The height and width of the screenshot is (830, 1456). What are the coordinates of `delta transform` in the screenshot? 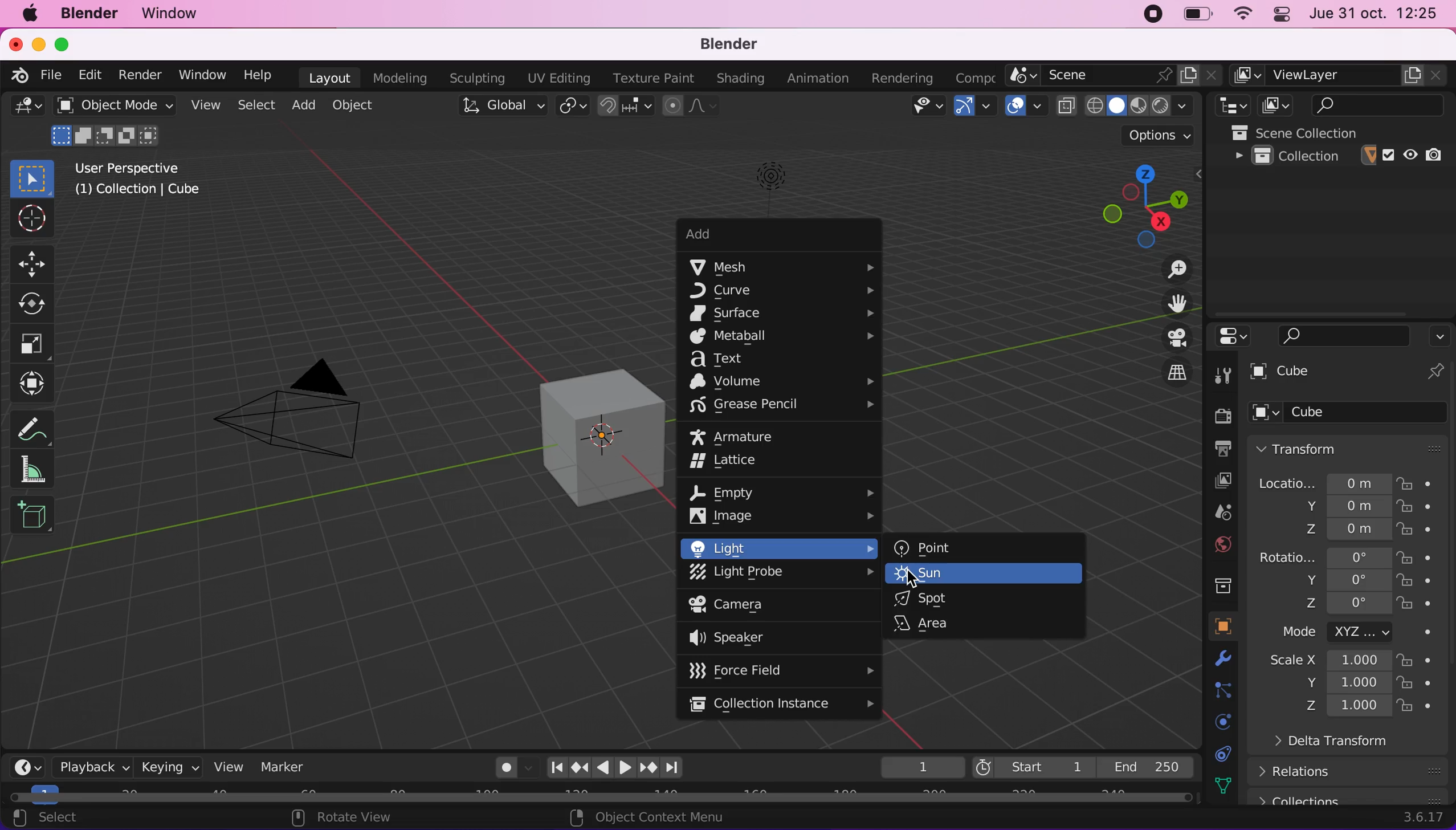 It's located at (1361, 746).